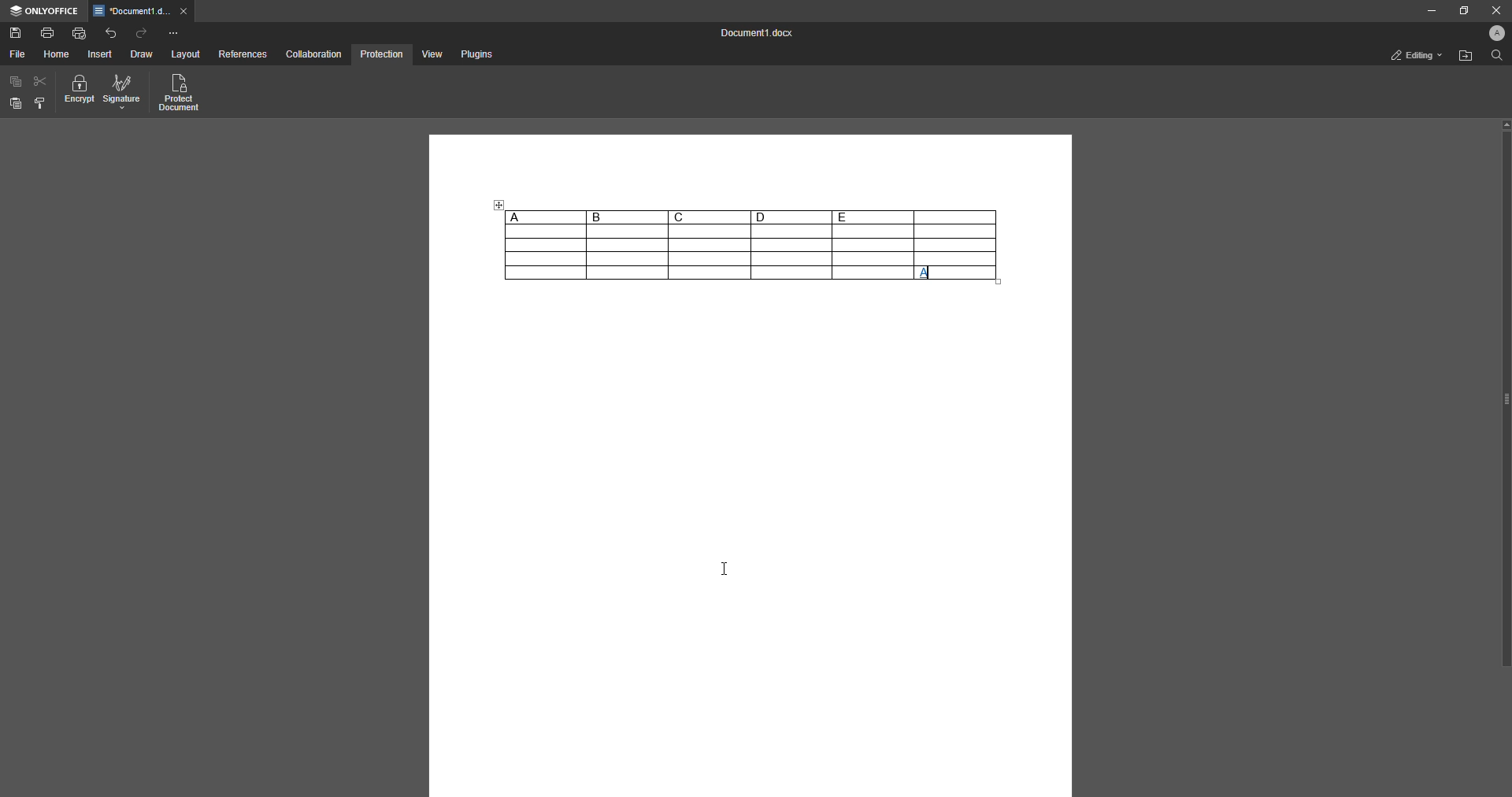 The width and height of the screenshot is (1512, 797). What do you see at coordinates (17, 54) in the screenshot?
I see `File` at bounding box center [17, 54].